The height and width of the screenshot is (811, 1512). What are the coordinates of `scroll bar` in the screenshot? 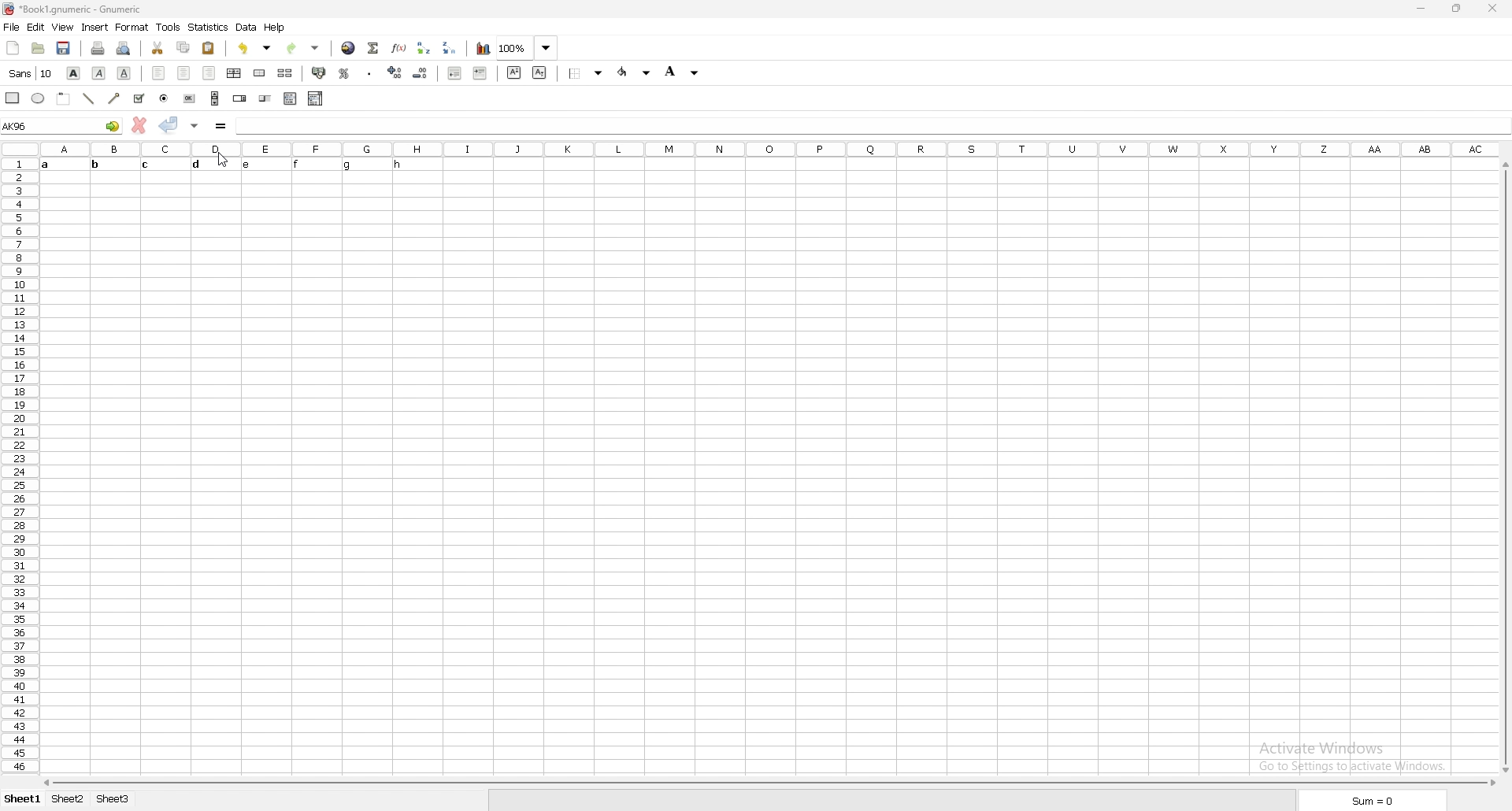 It's located at (768, 783).